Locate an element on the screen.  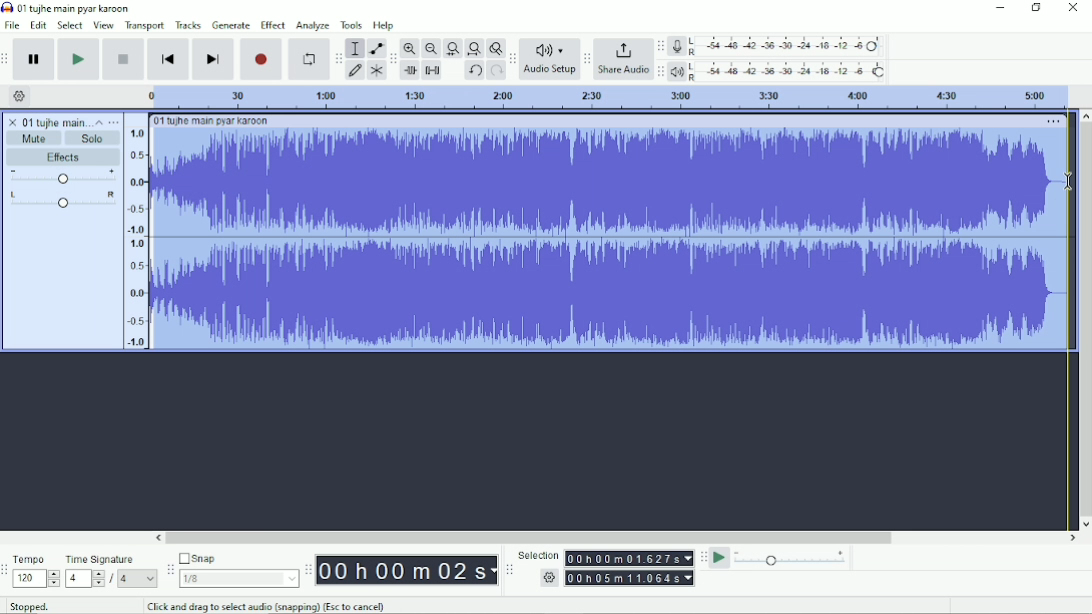
Tools is located at coordinates (351, 25).